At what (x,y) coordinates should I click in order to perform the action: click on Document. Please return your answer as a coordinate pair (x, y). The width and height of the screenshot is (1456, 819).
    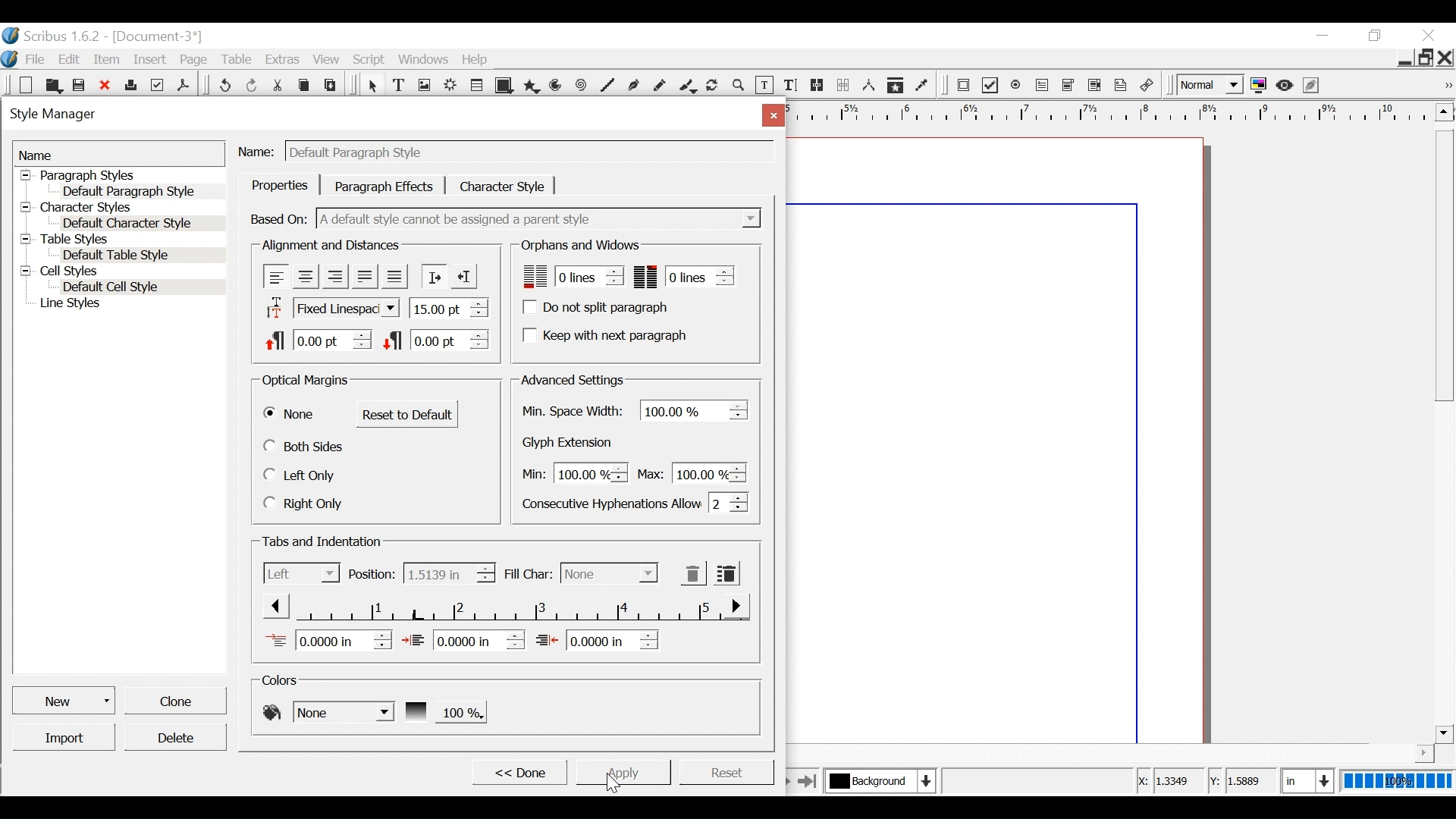
    Looking at the image, I should click on (155, 36).